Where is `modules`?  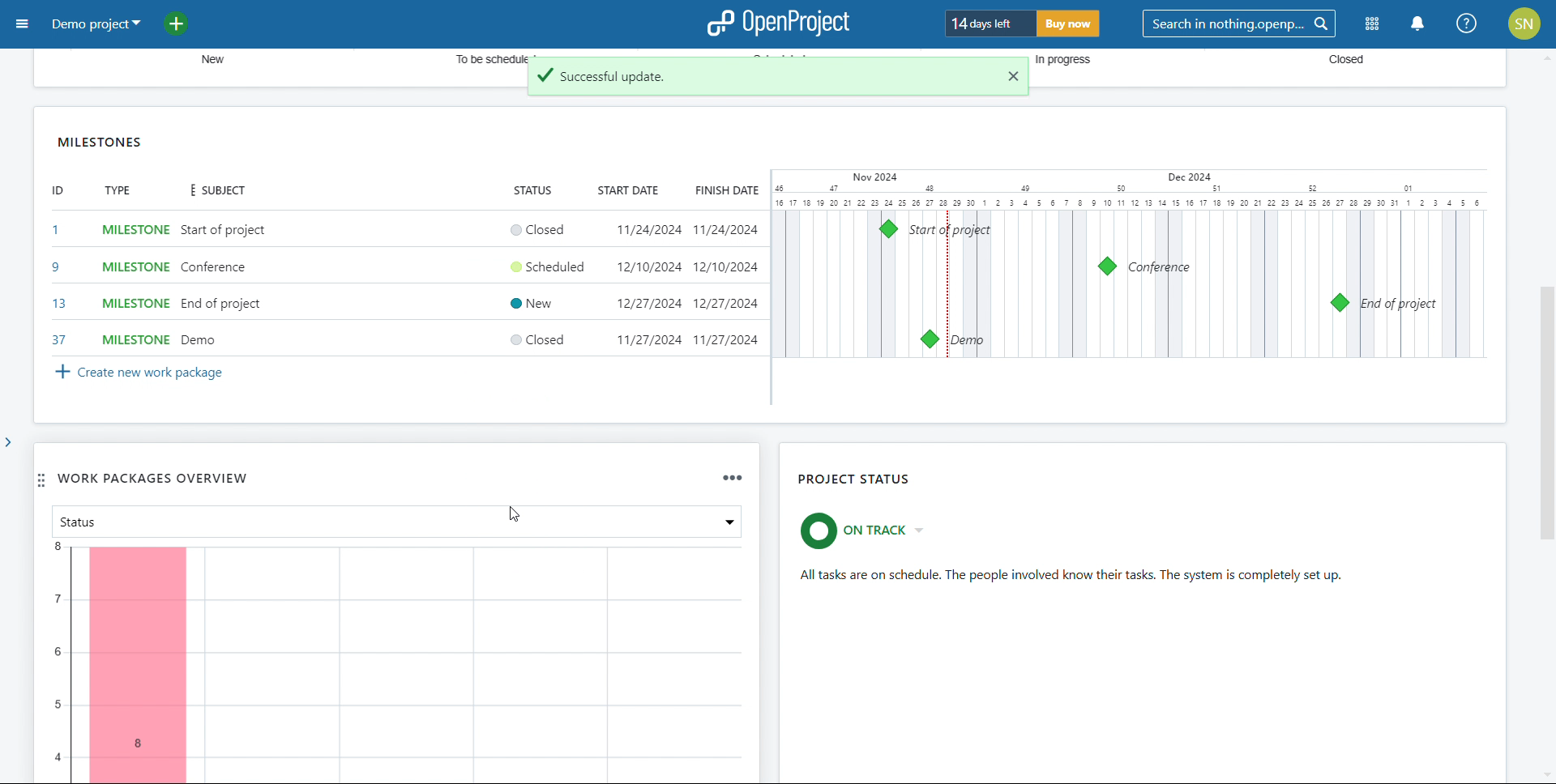 modules is located at coordinates (1373, 24).